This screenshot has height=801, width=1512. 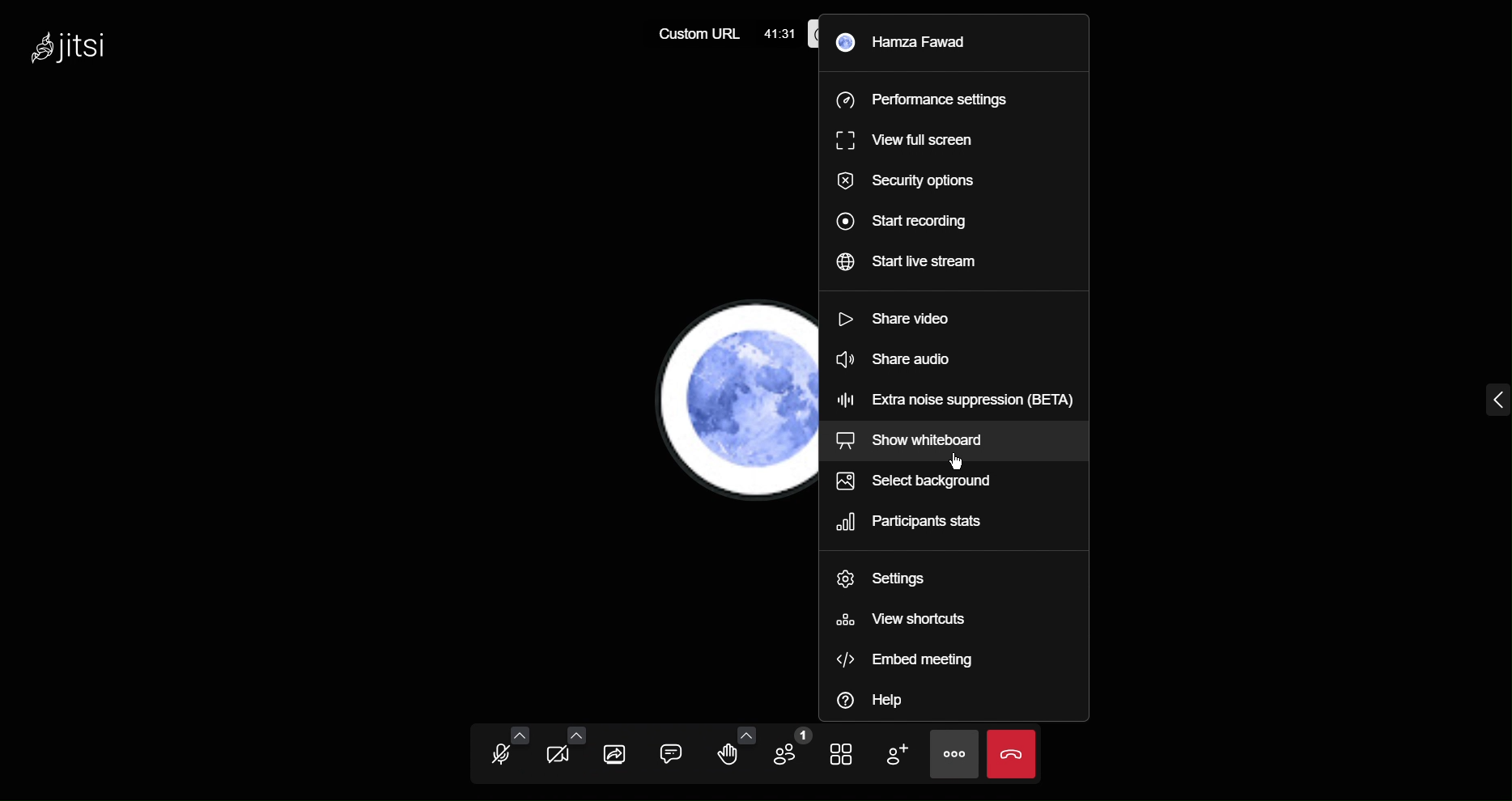 I want to click on View full screen, so click(x=899, y=138).